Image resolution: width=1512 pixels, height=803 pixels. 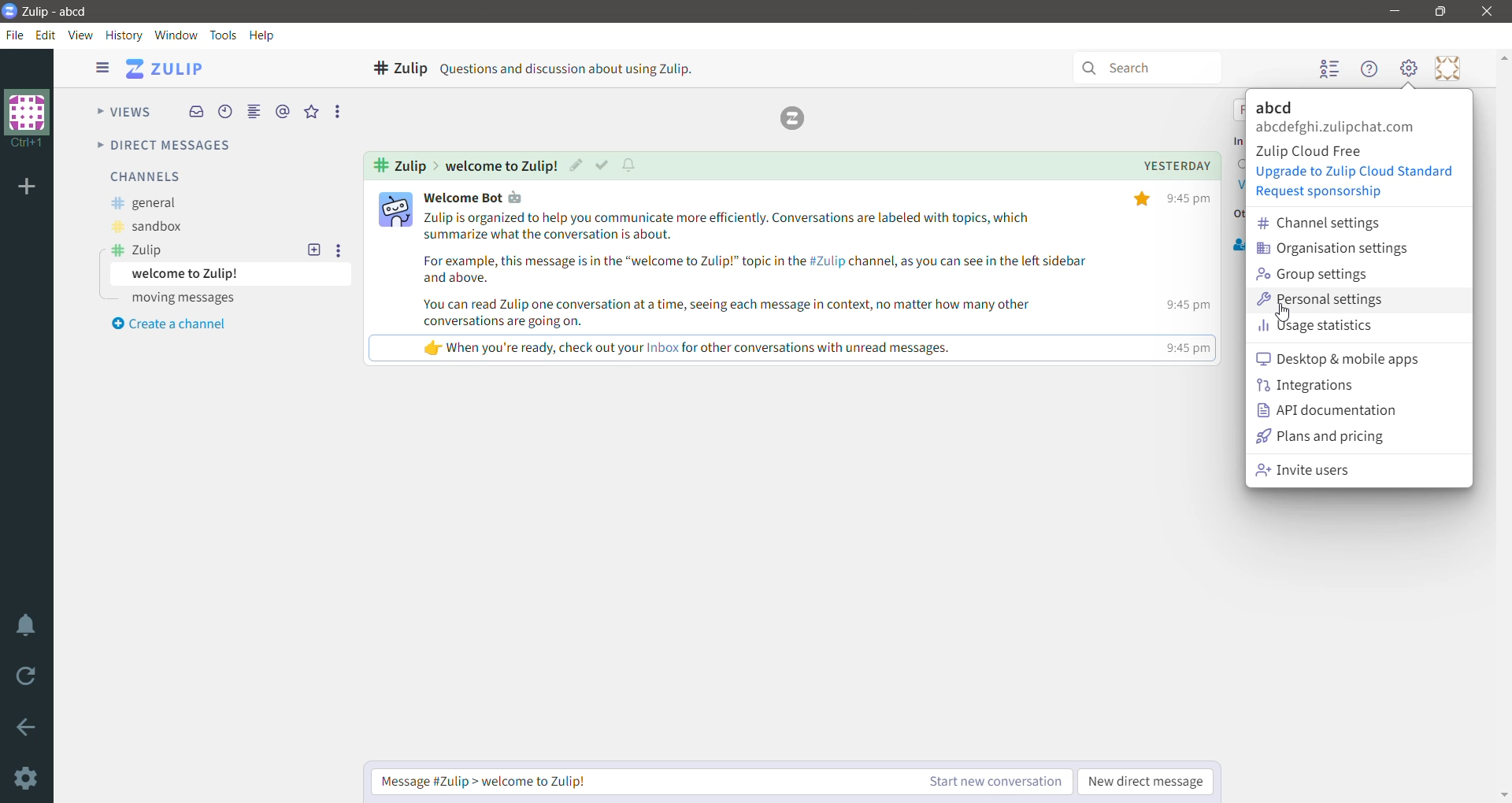 I want to click on Invite users, so click(x=1319, y=471).